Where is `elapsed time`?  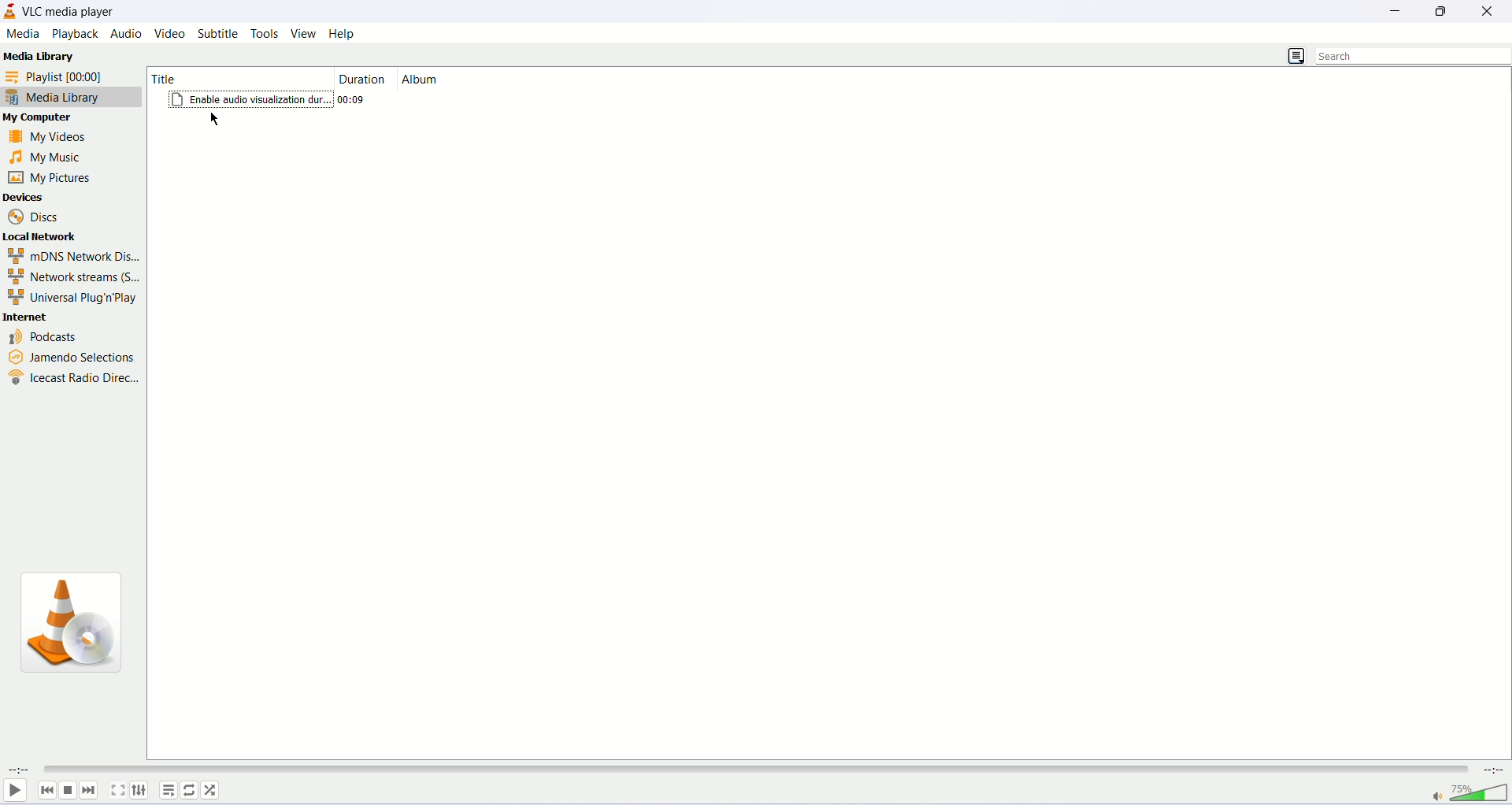
elapsed time is located at coordinates (19, 769).